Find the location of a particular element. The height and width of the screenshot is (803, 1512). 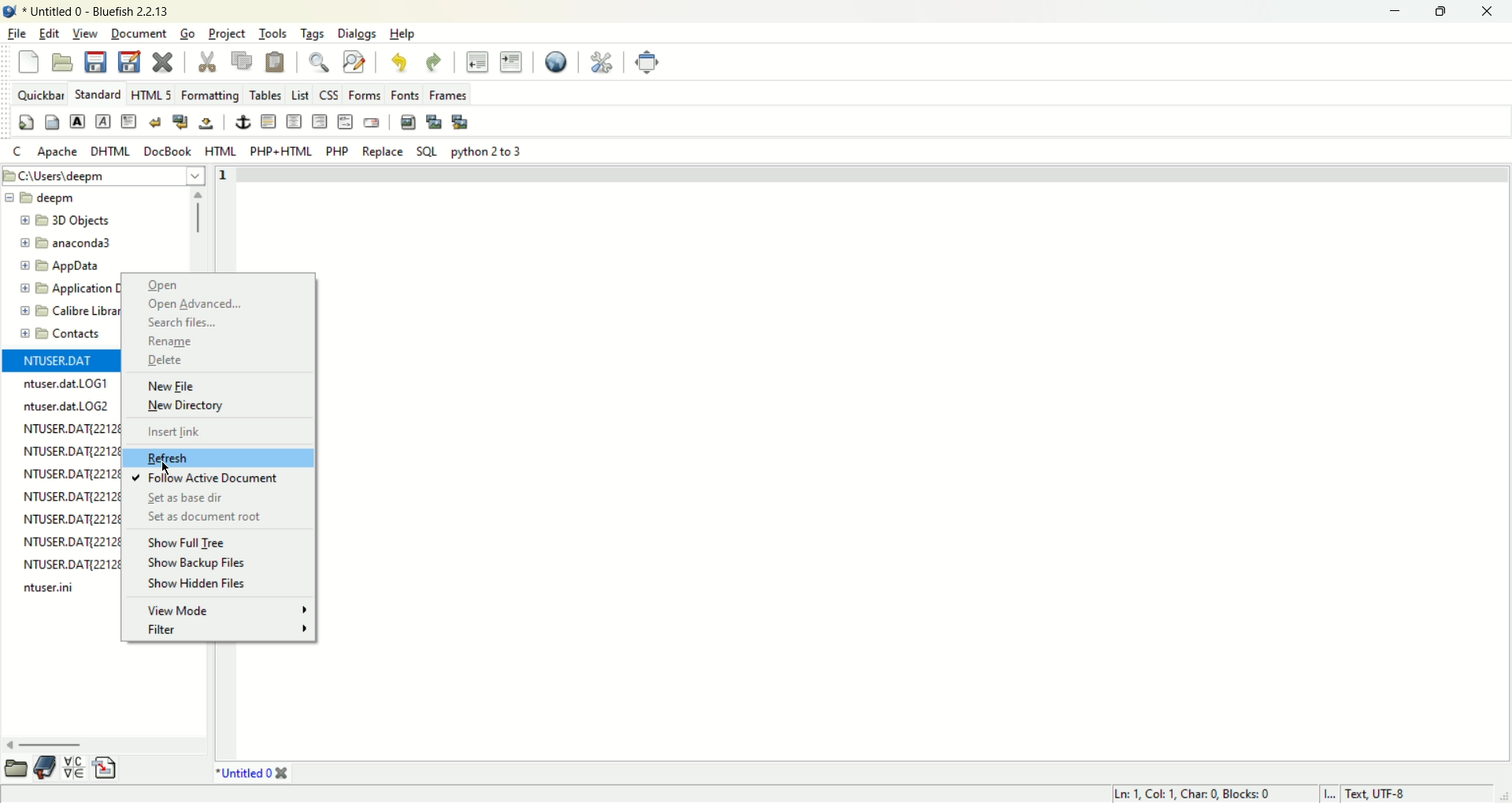

cut is located at coordinates (208, 61).